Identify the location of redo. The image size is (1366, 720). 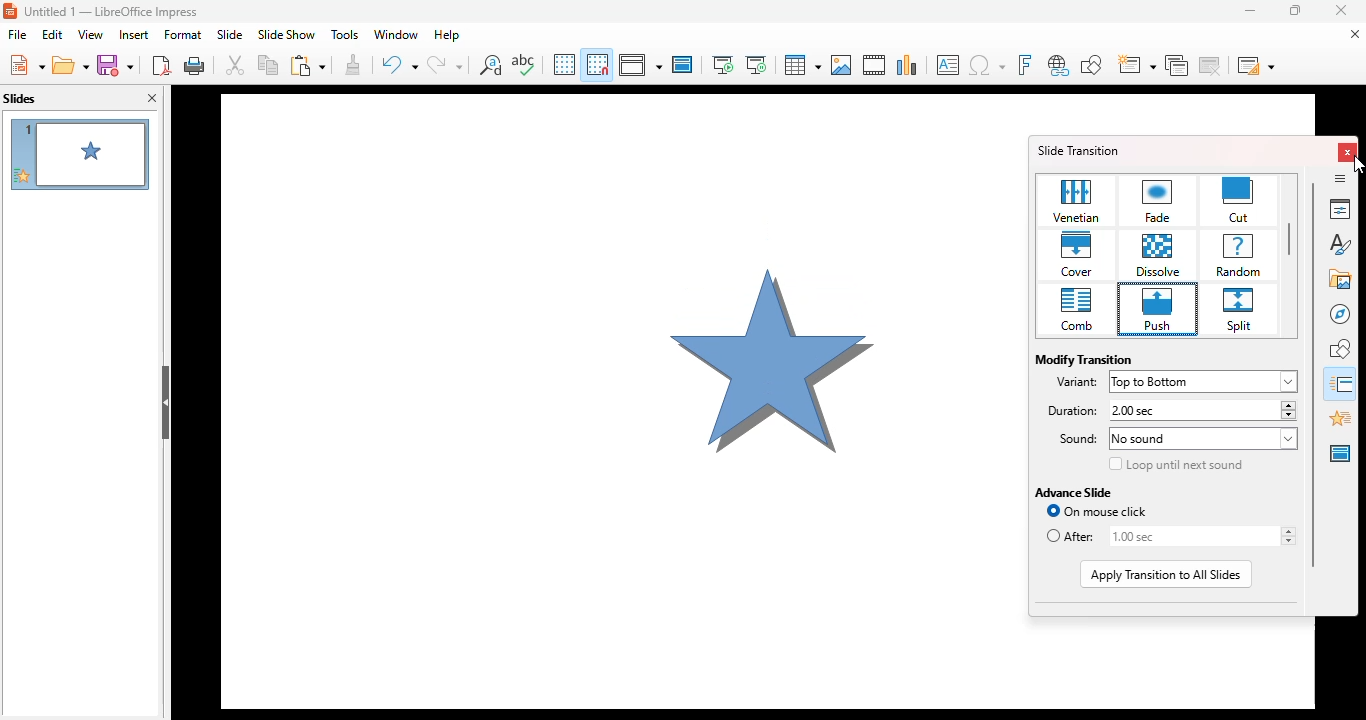
(445, 64).